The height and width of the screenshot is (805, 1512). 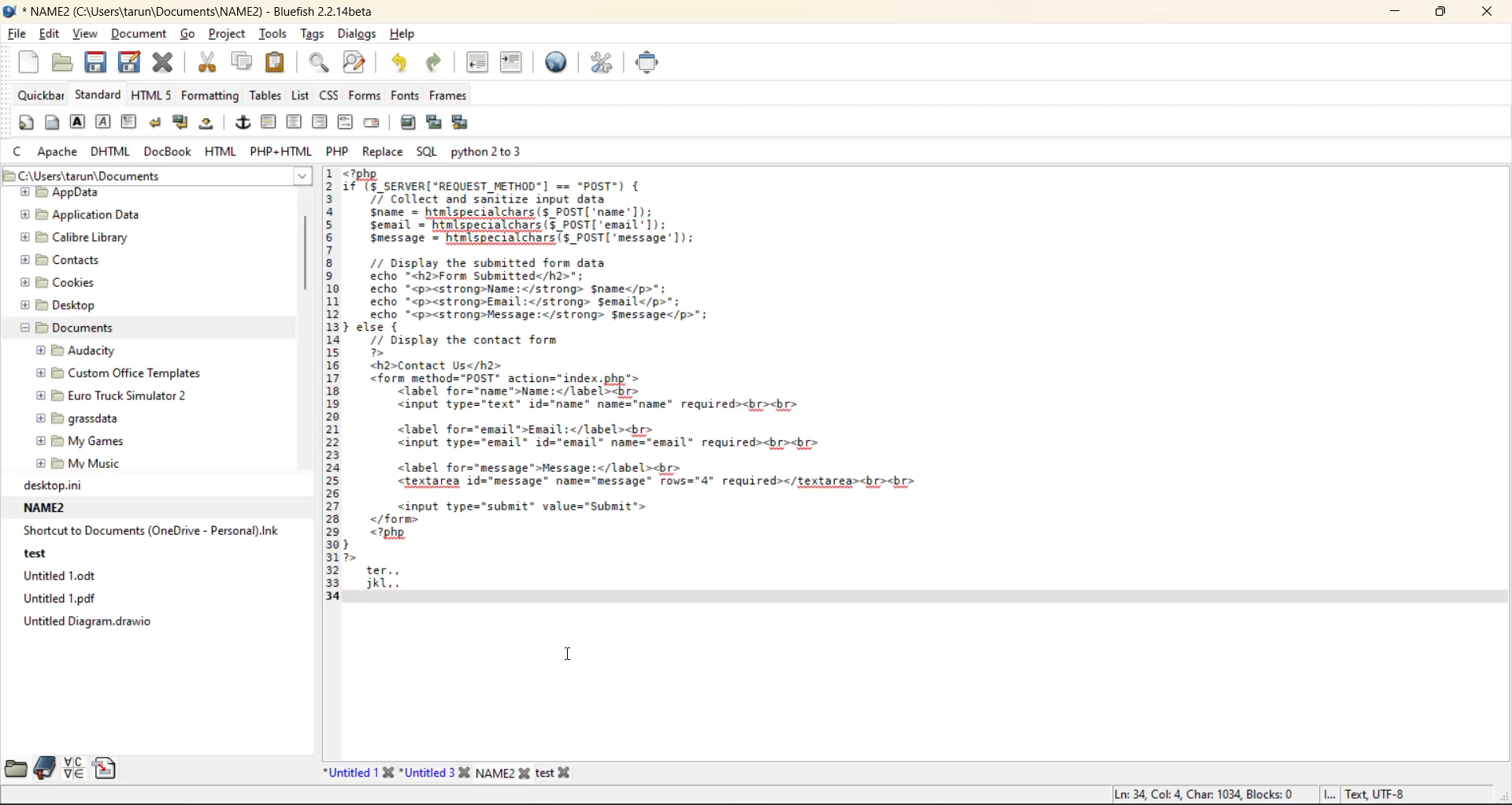 What do you see at coordinates (65, 193) in the screenshot?
I see `AppData` at bounding box center [65, 193].